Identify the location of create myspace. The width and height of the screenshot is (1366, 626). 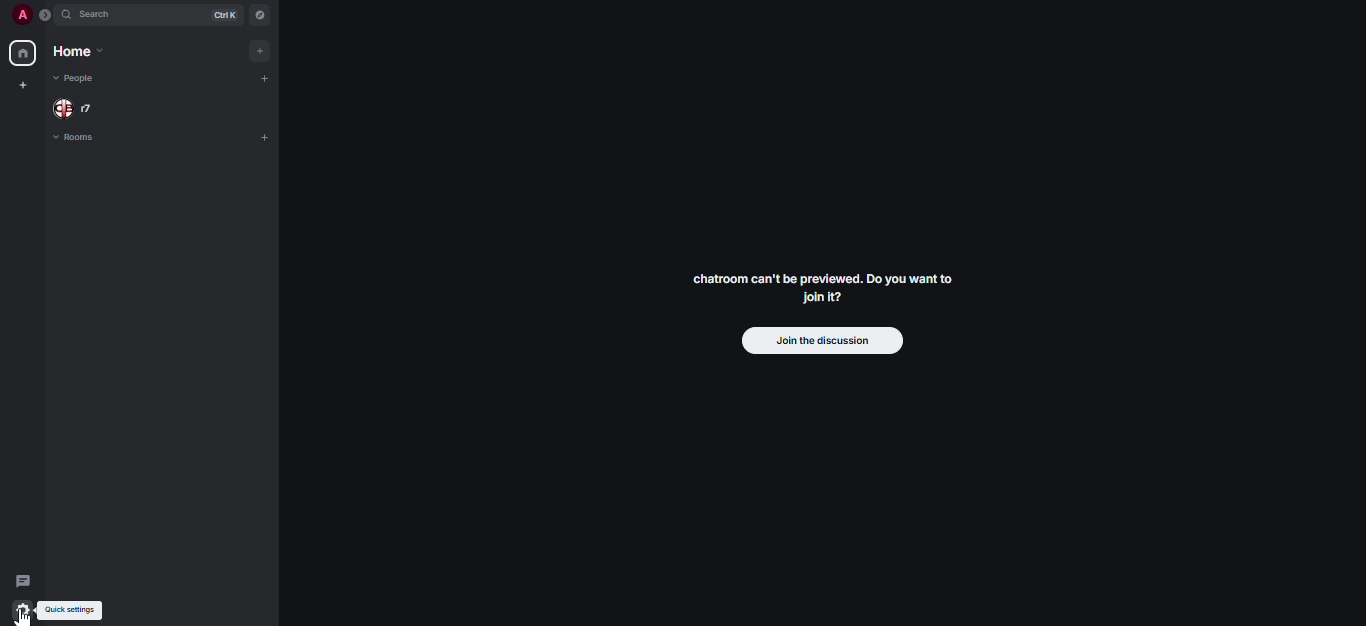
(22, 83).